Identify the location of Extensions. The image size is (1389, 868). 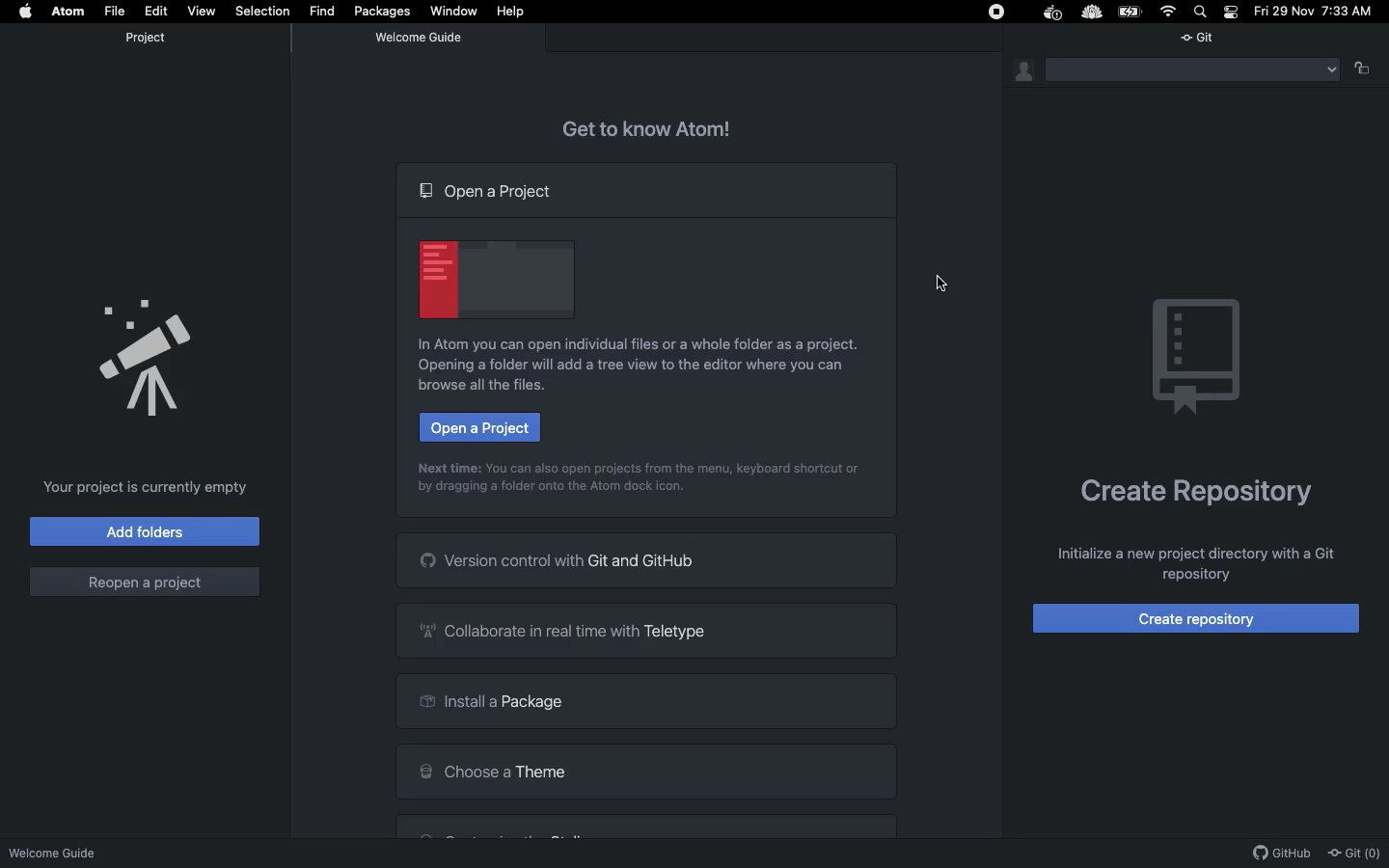
(1044, 14).